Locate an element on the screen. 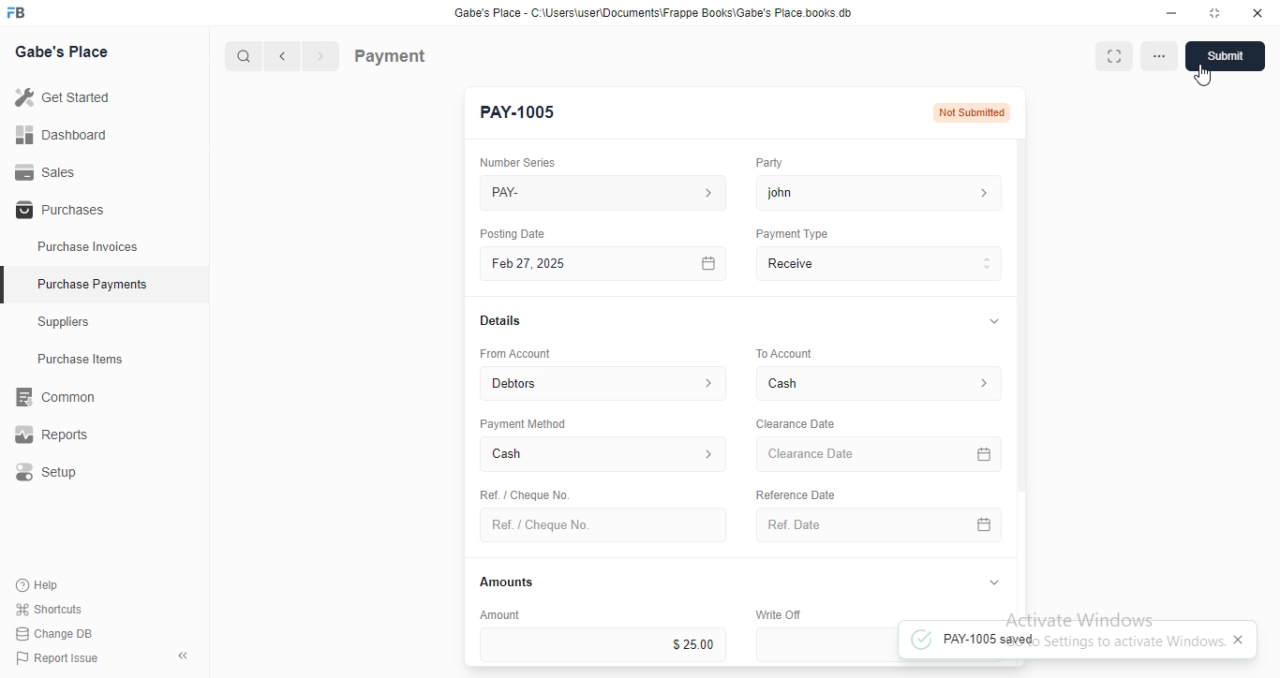  Cash is located at coordinates (882, 383).